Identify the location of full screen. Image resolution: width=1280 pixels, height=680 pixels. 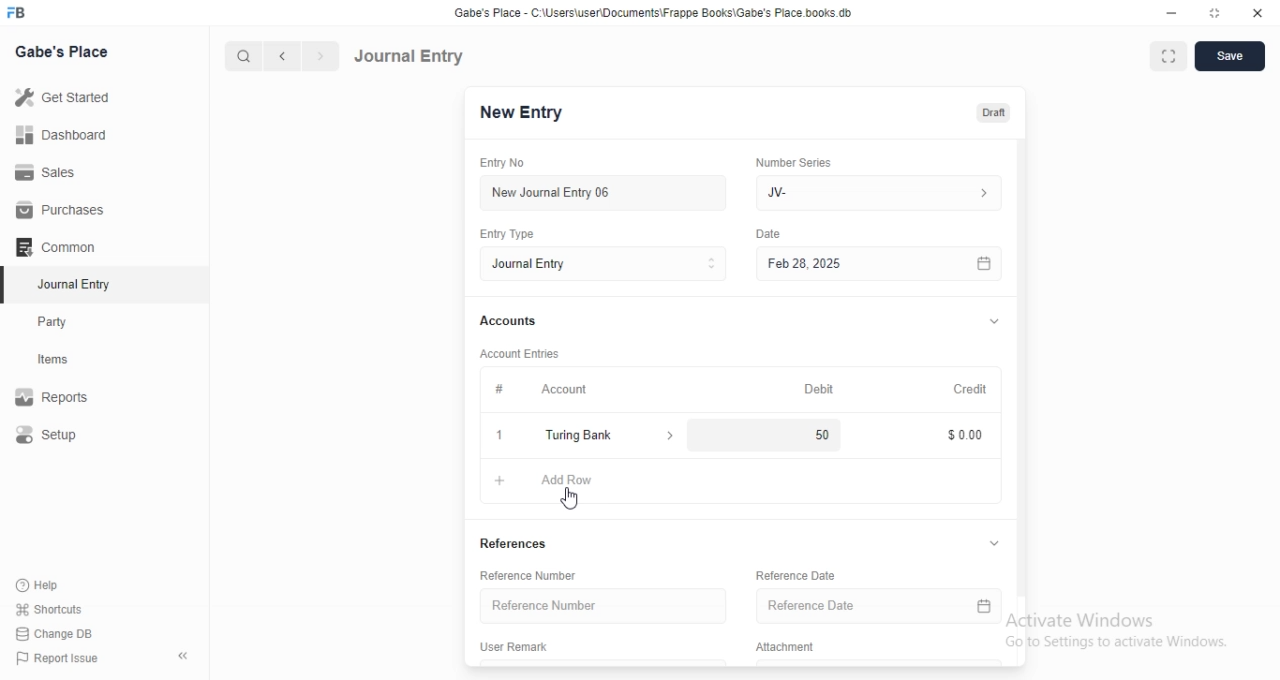
(1172, 57).